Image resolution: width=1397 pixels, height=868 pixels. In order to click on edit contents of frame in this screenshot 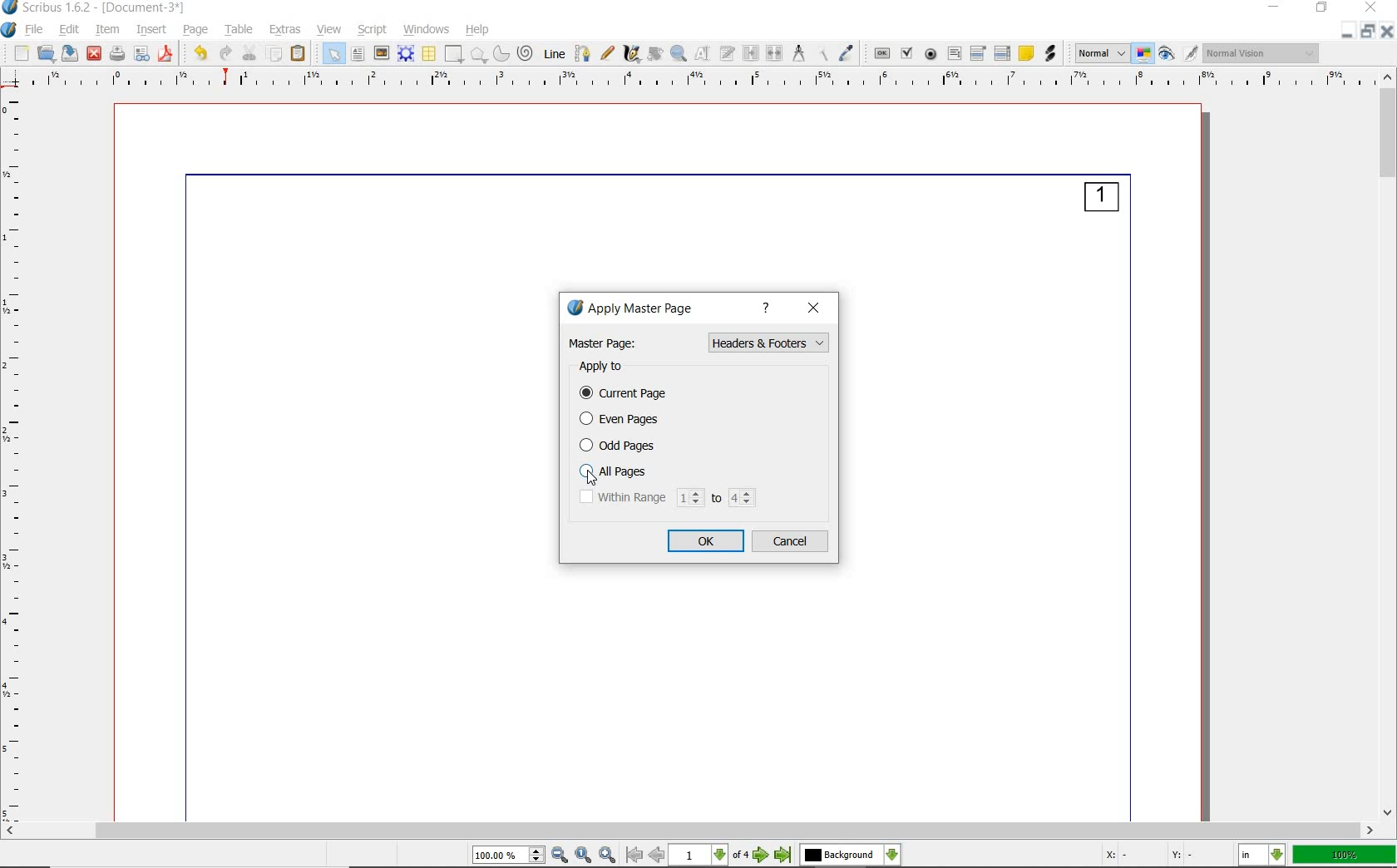, I will do `click(702, 54)`.